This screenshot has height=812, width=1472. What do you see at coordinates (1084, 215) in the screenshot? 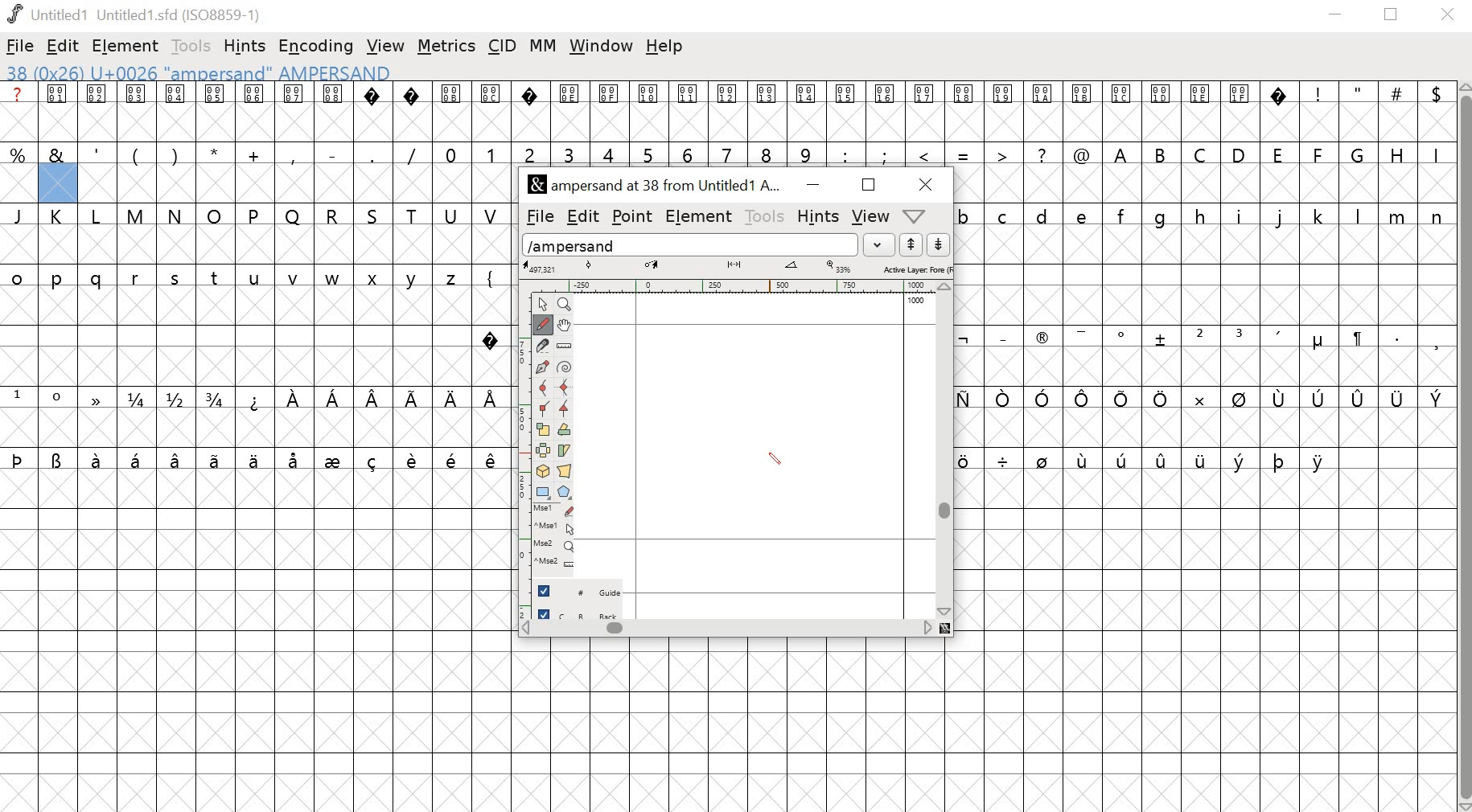
I see `e` at bounding box center [1084, 215].